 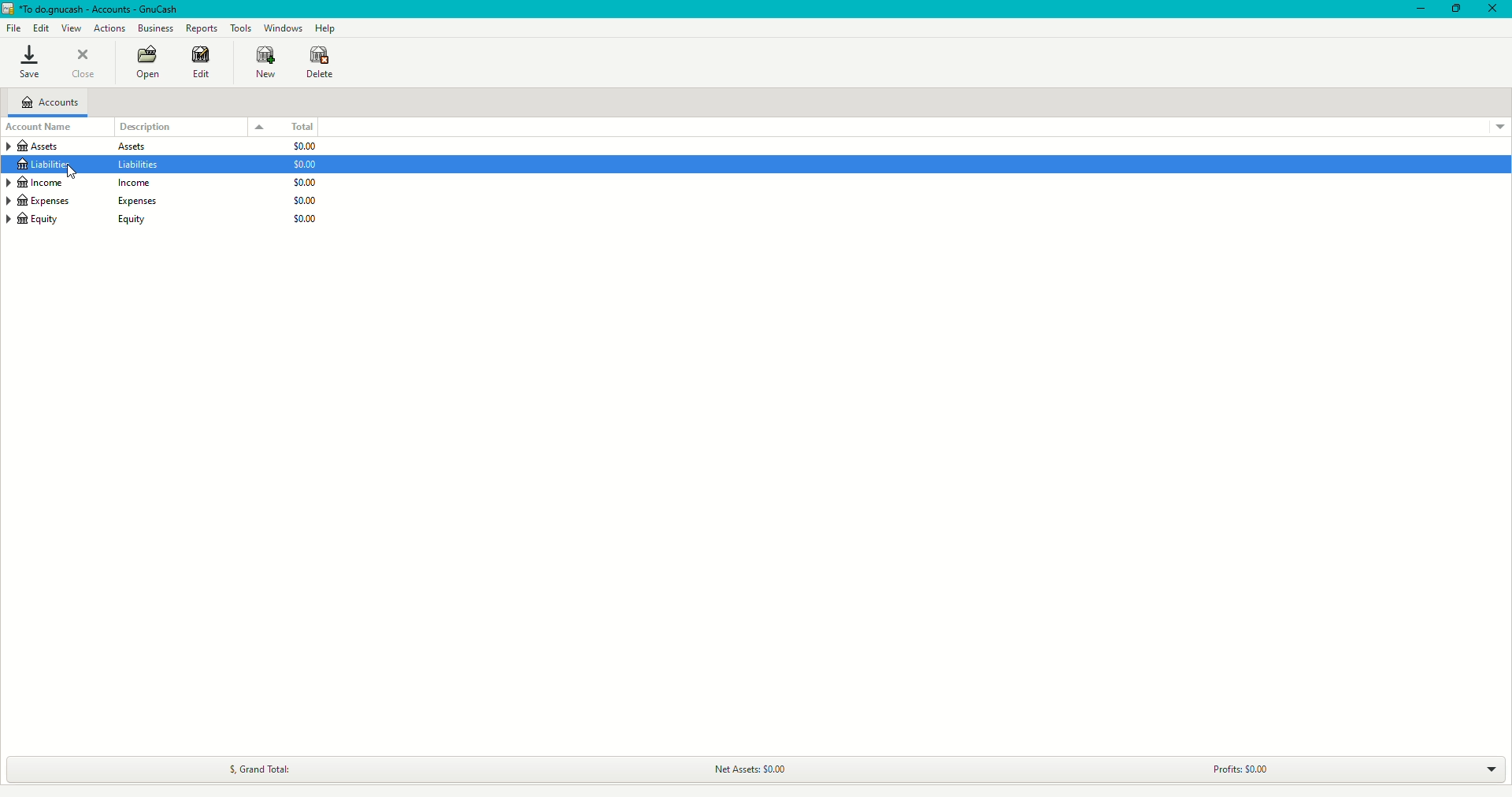 I want to click on Actions, so click(x=111, y=28).